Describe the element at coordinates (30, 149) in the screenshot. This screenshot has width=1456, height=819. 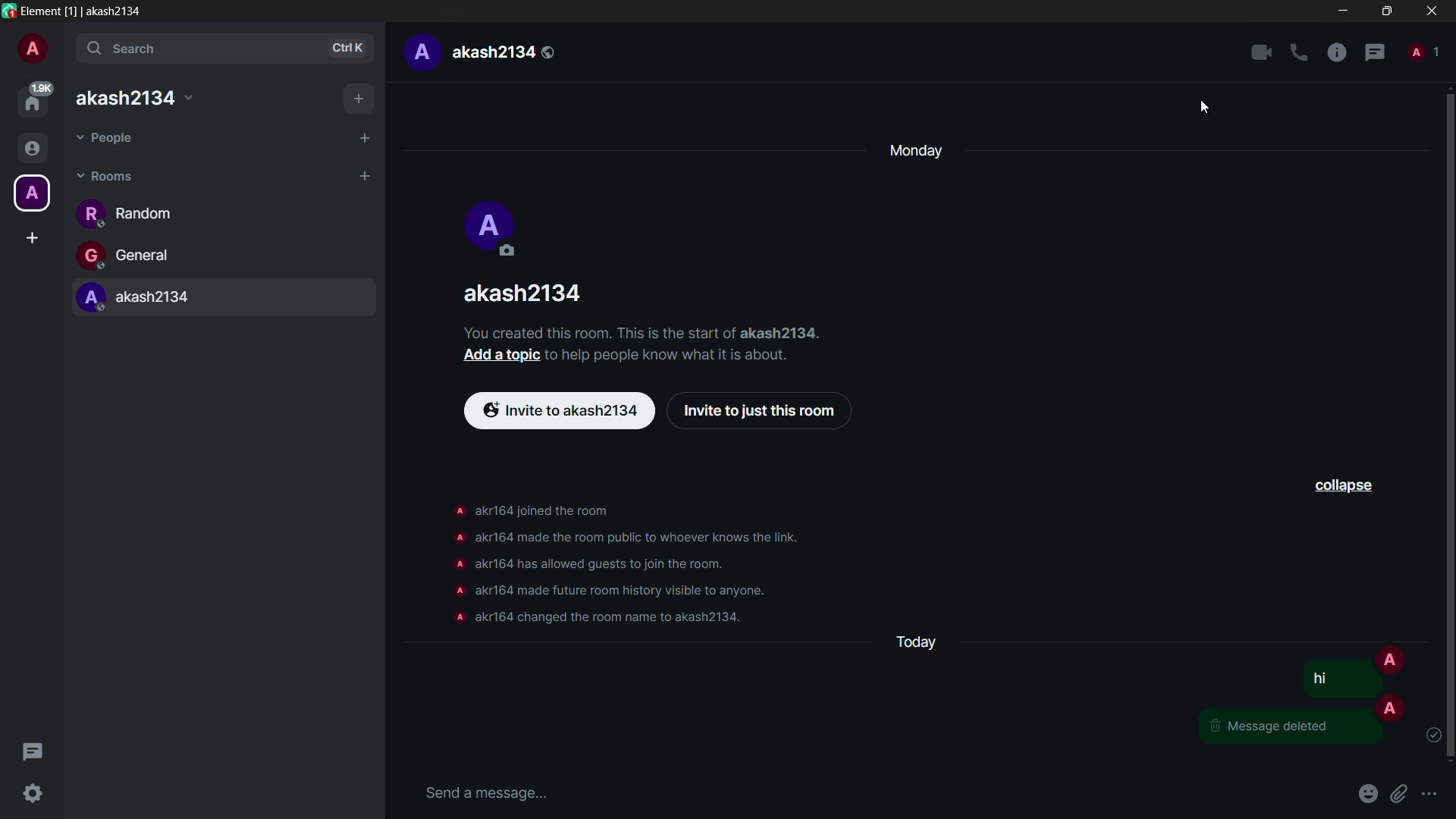
I see `people icon` at that location.